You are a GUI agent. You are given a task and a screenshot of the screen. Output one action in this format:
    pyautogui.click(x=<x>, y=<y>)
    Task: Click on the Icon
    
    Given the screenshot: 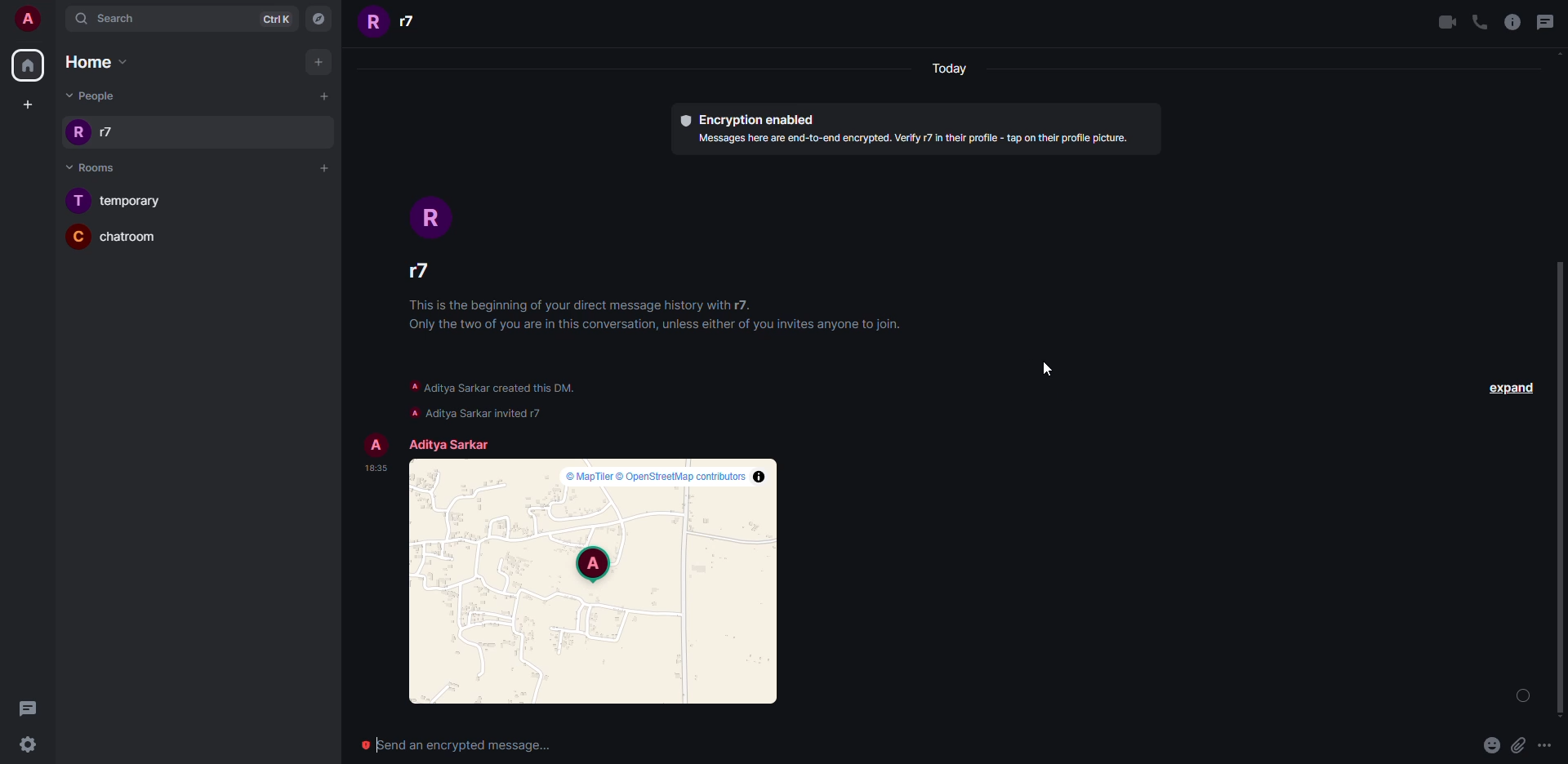 What is the action you would take?
    pyautogui.click(x=434, y=218)
    